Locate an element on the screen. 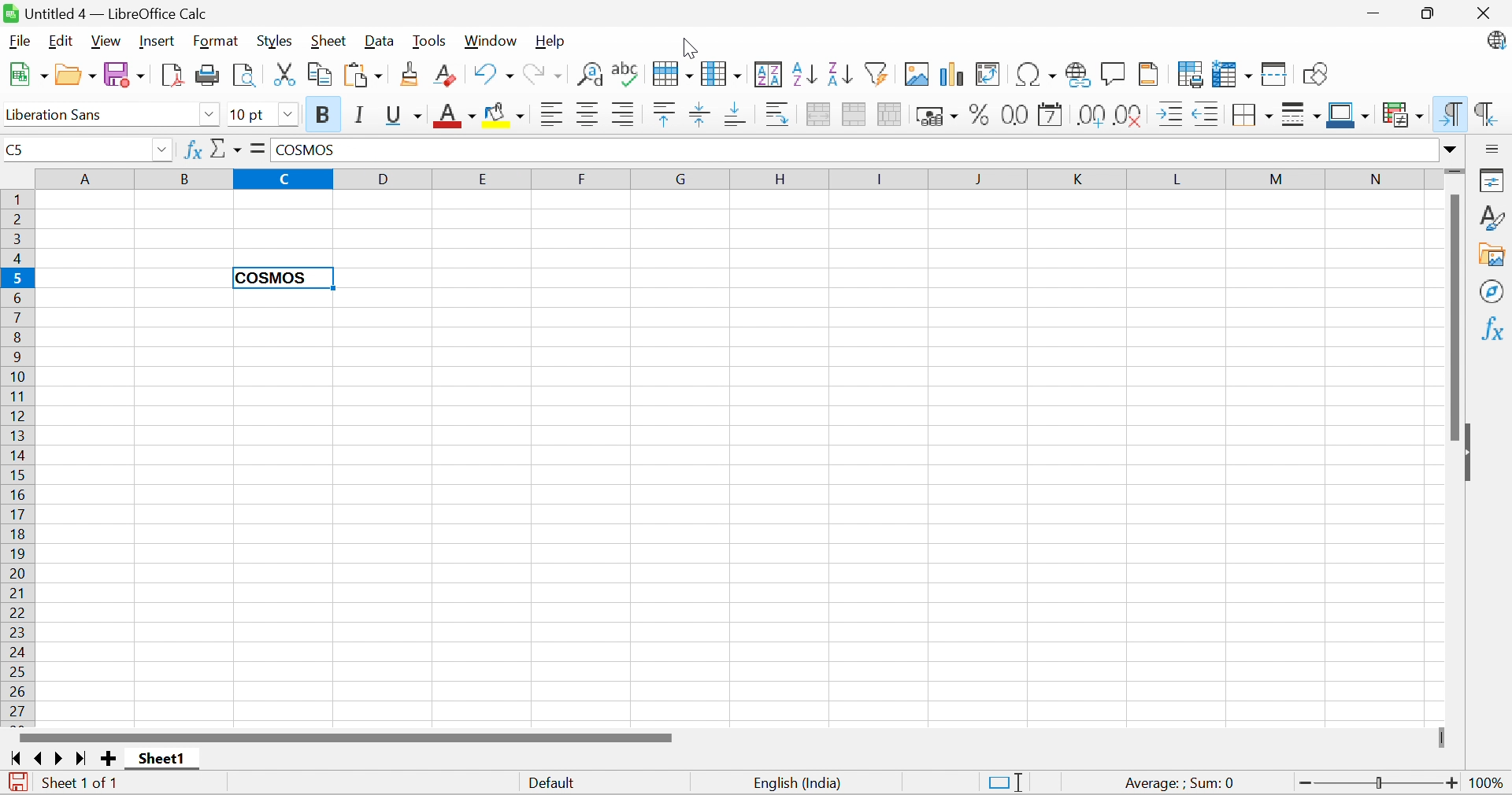 This screenshot has height=795, width=1512. Edit is located at coordinates (61, 41).